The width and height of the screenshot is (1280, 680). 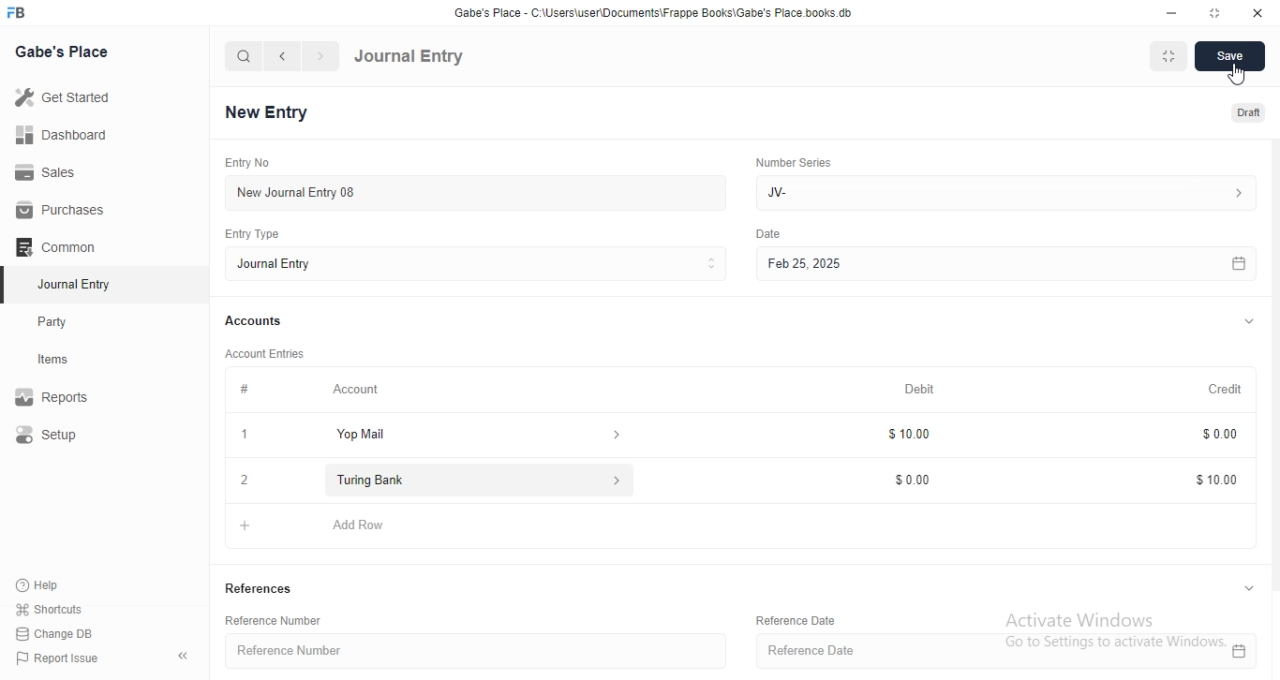 I want to click on New Journal Entry 08, so click(x=470, y=192).